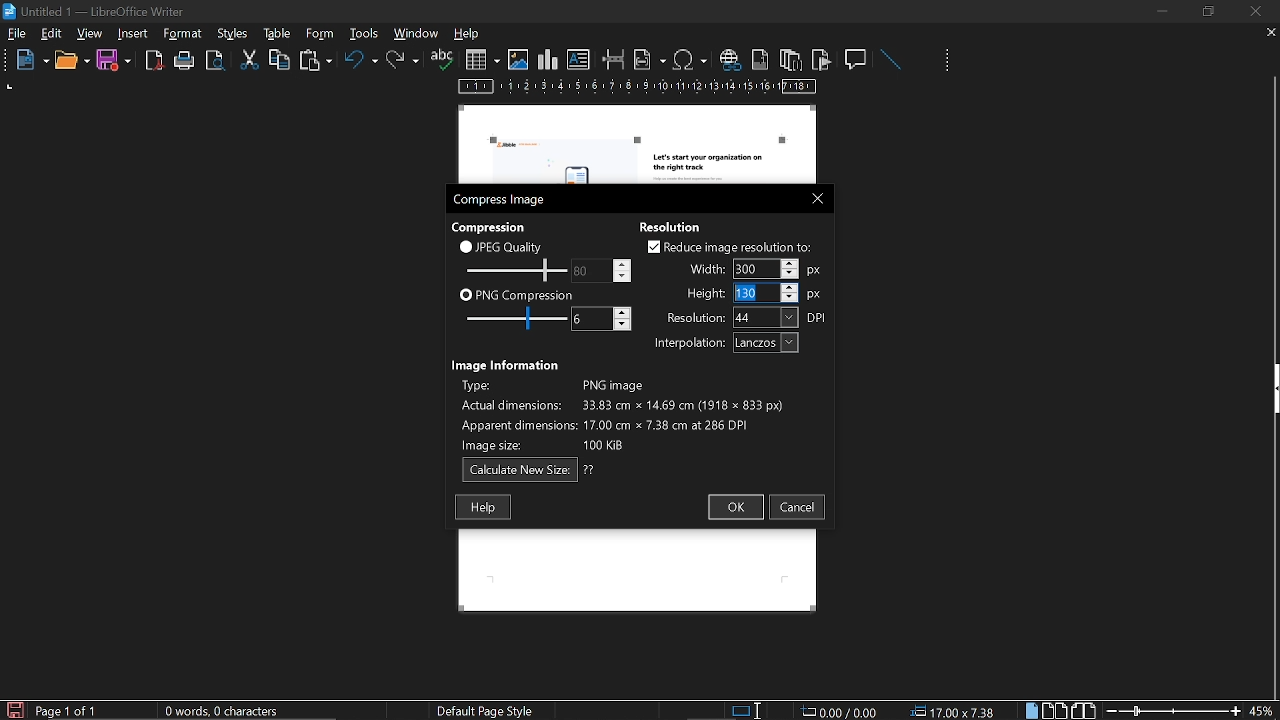 The width and height of the screenshot is (1280, 720). What do you see at coordinates (470, 35) in the screenshot?
I see `help` at bounding box center [470, 35].